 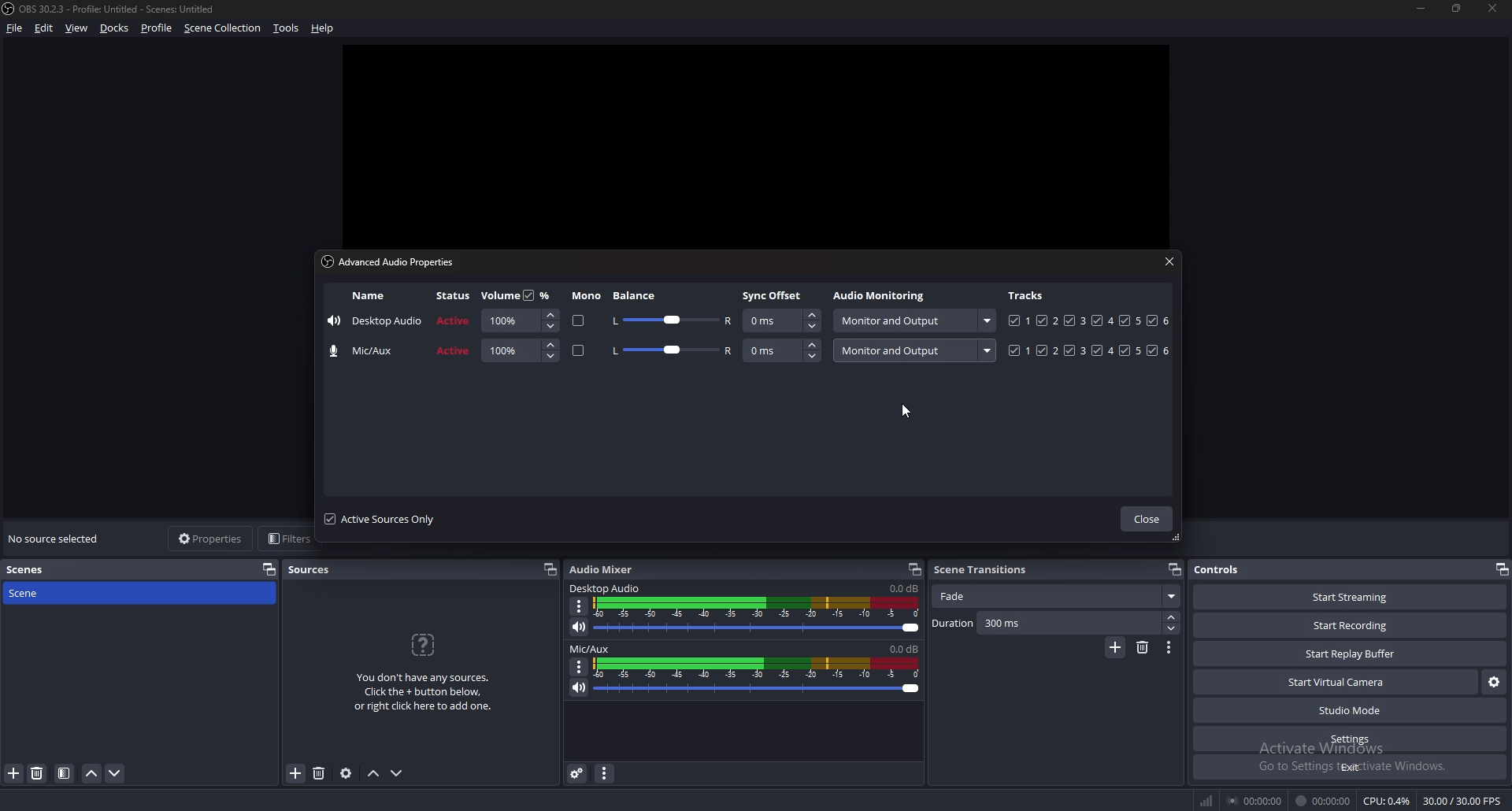 What do you see at coordinates (376, 320) in the screenshot?
I see `name` at bounding box center [376, 320].